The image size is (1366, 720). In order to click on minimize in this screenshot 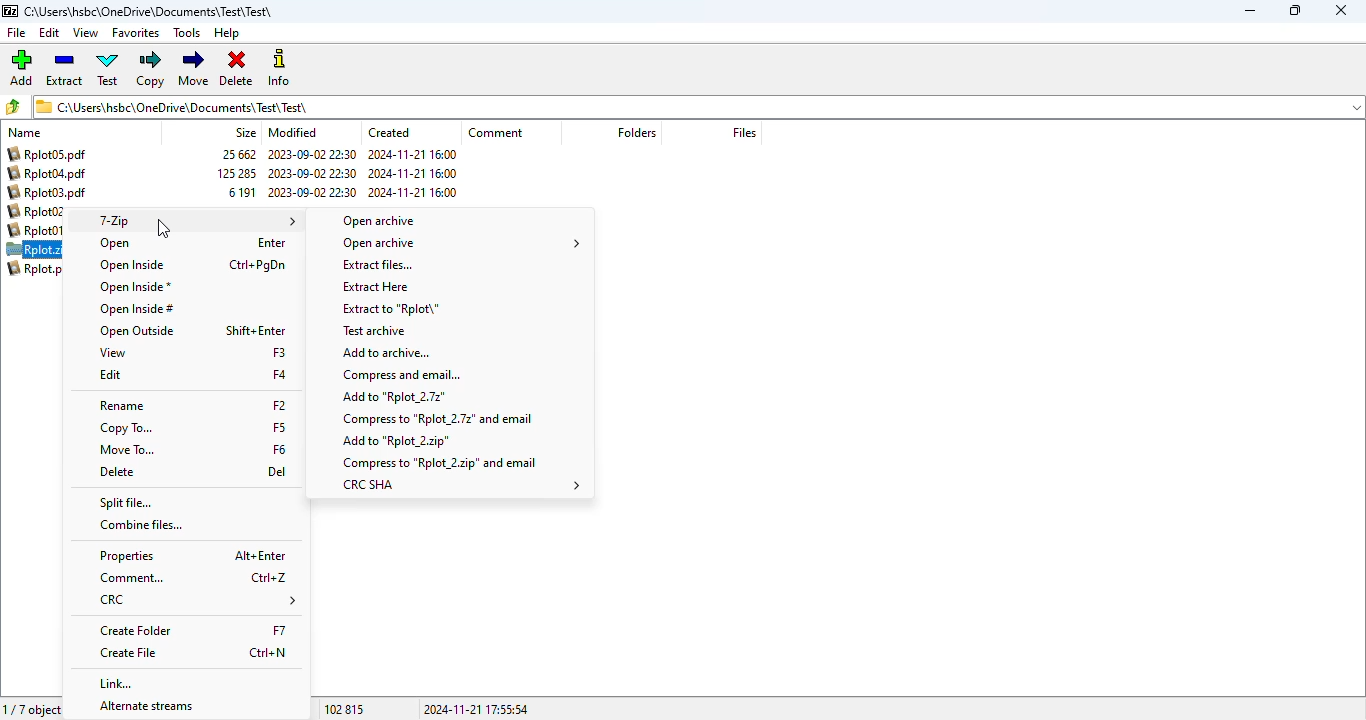, I will do `click(1250, 11)`.